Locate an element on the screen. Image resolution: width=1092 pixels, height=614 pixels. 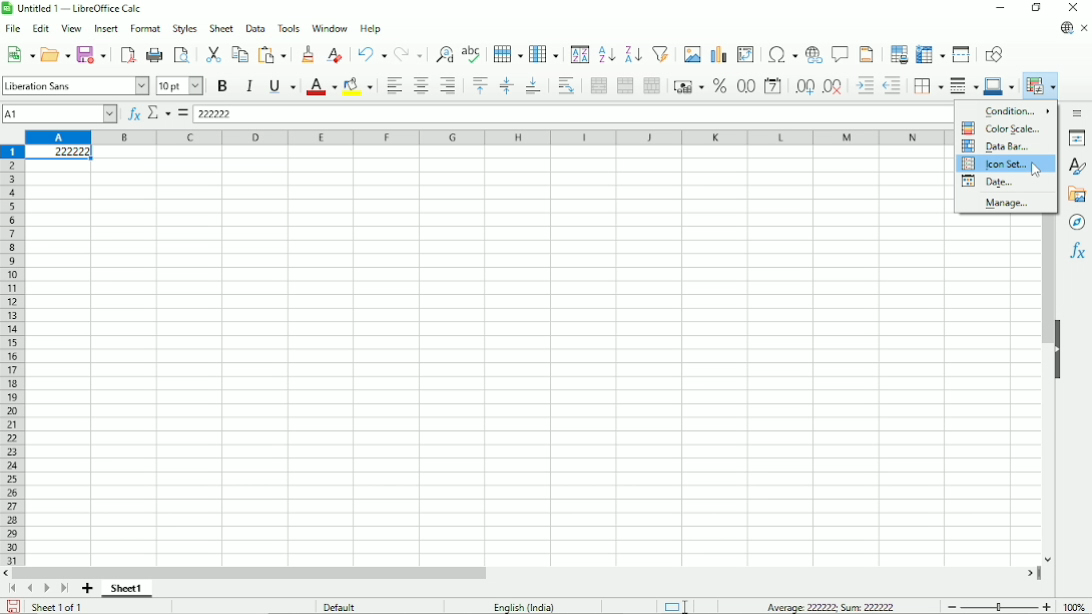
Update available is located at coordinates (1065, 27).